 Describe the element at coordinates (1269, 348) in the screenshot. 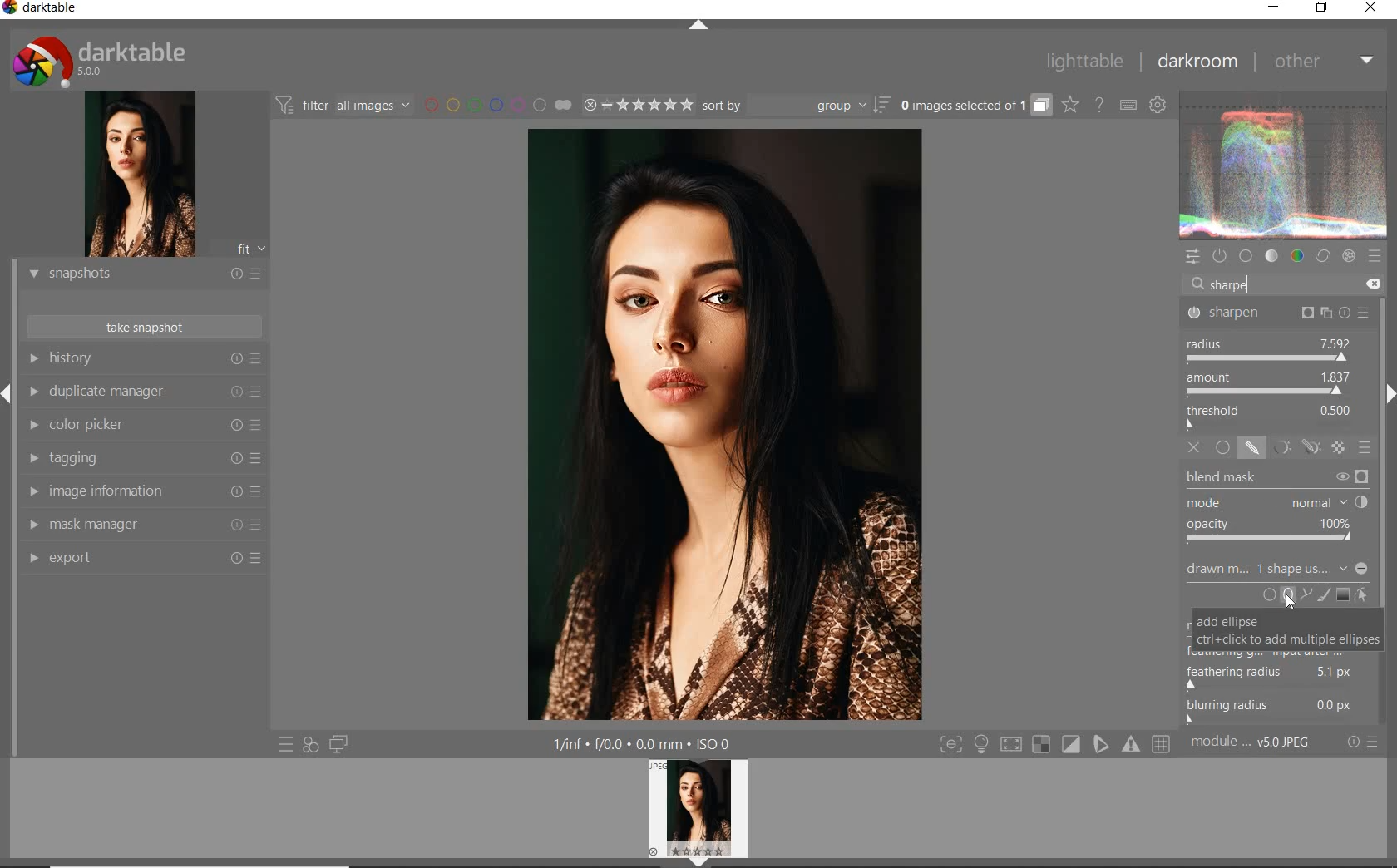

I see `RADIUS` at that location.